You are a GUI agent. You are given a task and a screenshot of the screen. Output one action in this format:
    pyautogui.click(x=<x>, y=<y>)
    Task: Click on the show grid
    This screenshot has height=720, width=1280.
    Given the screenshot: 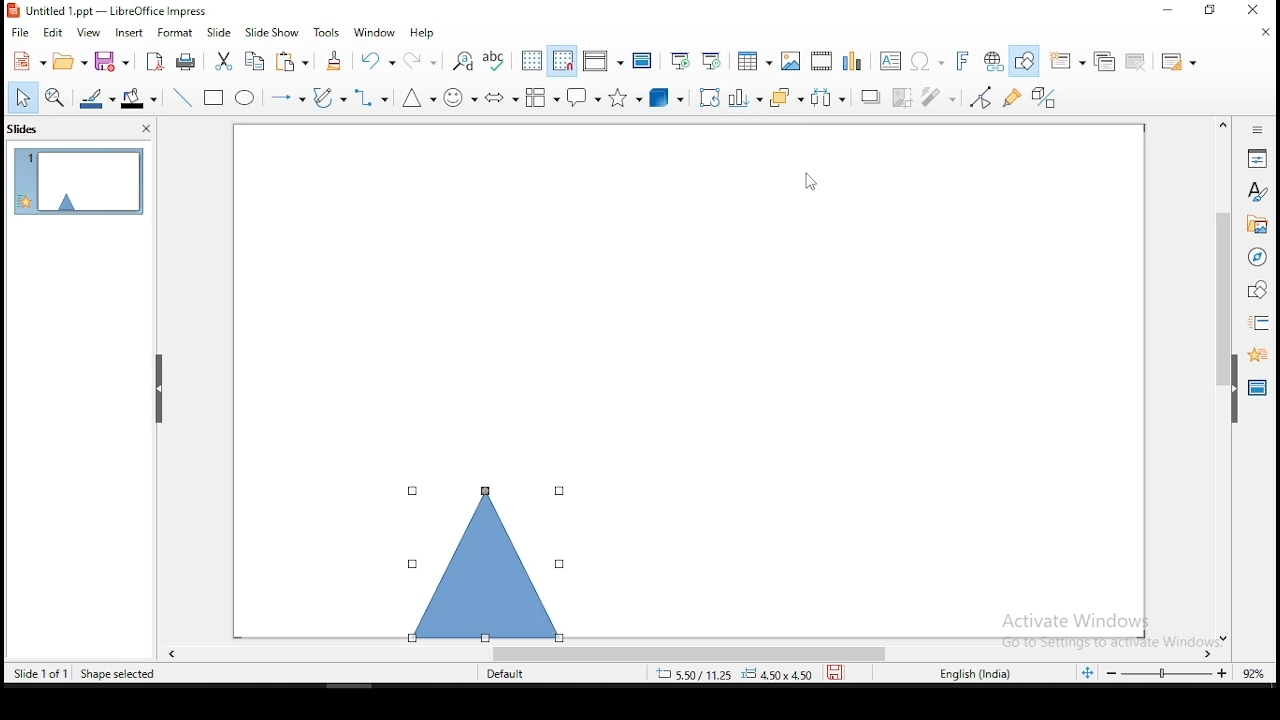 What is the action you would take?
    pyautogui.click(x=531, y=60)
    